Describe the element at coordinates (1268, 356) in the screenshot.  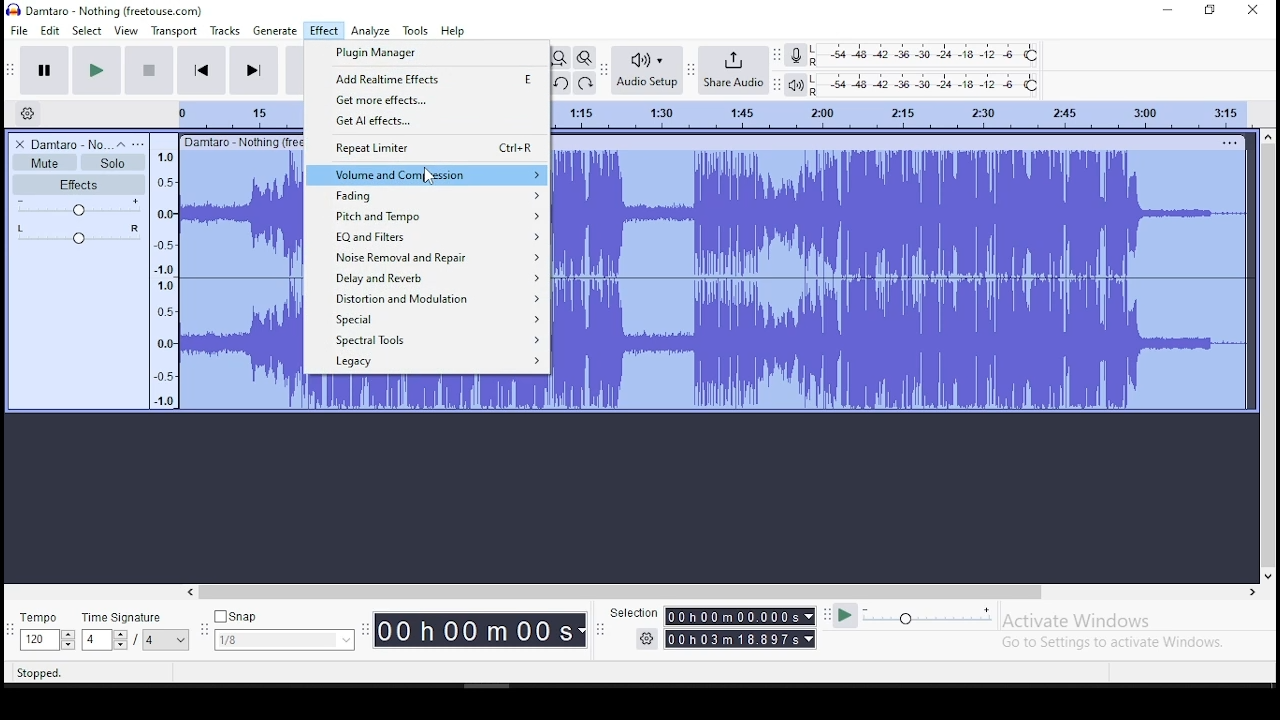
I see `scroll bar` at that location.